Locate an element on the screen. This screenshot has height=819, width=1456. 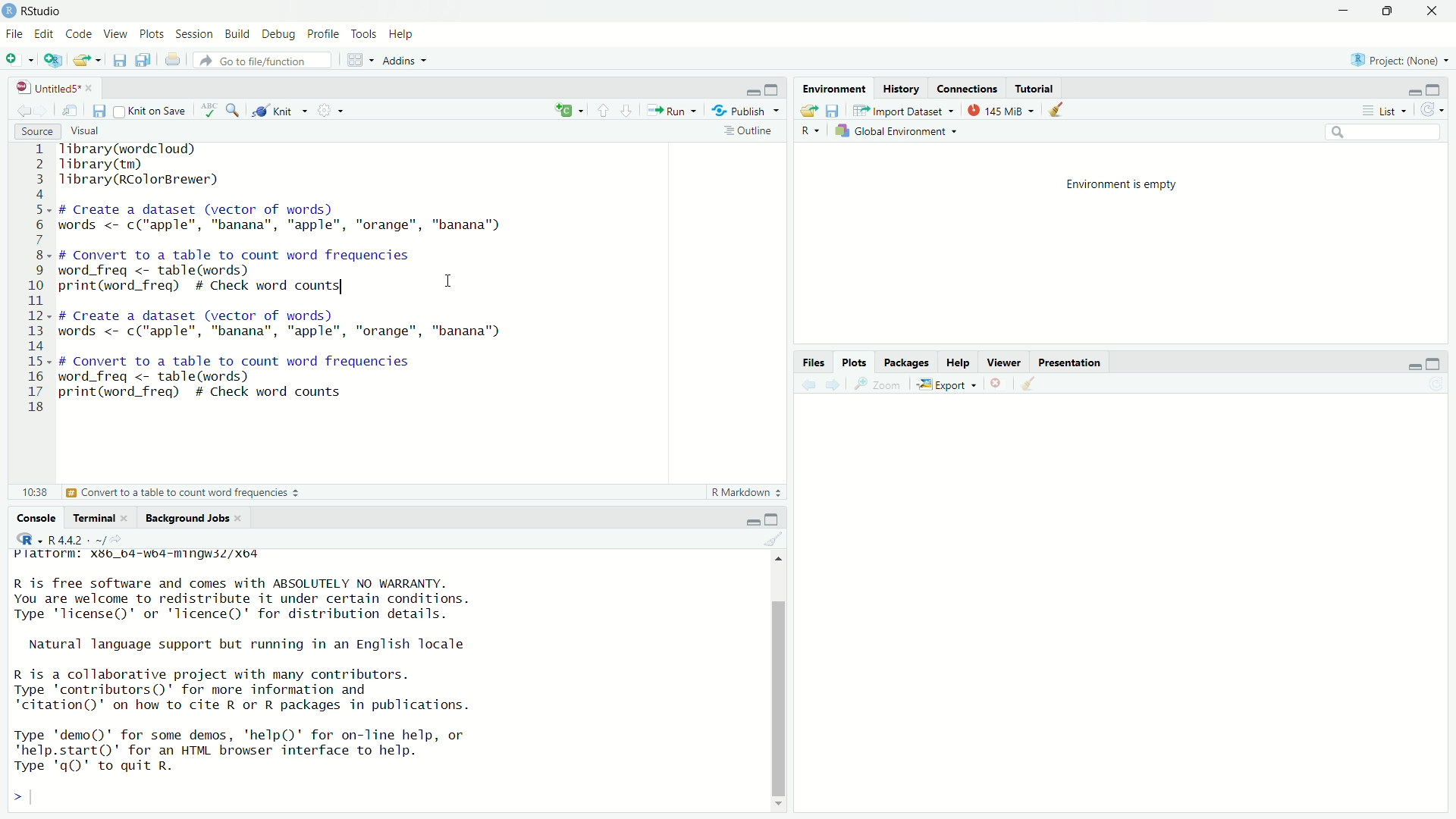
Back is located at coordinates (805, 384).